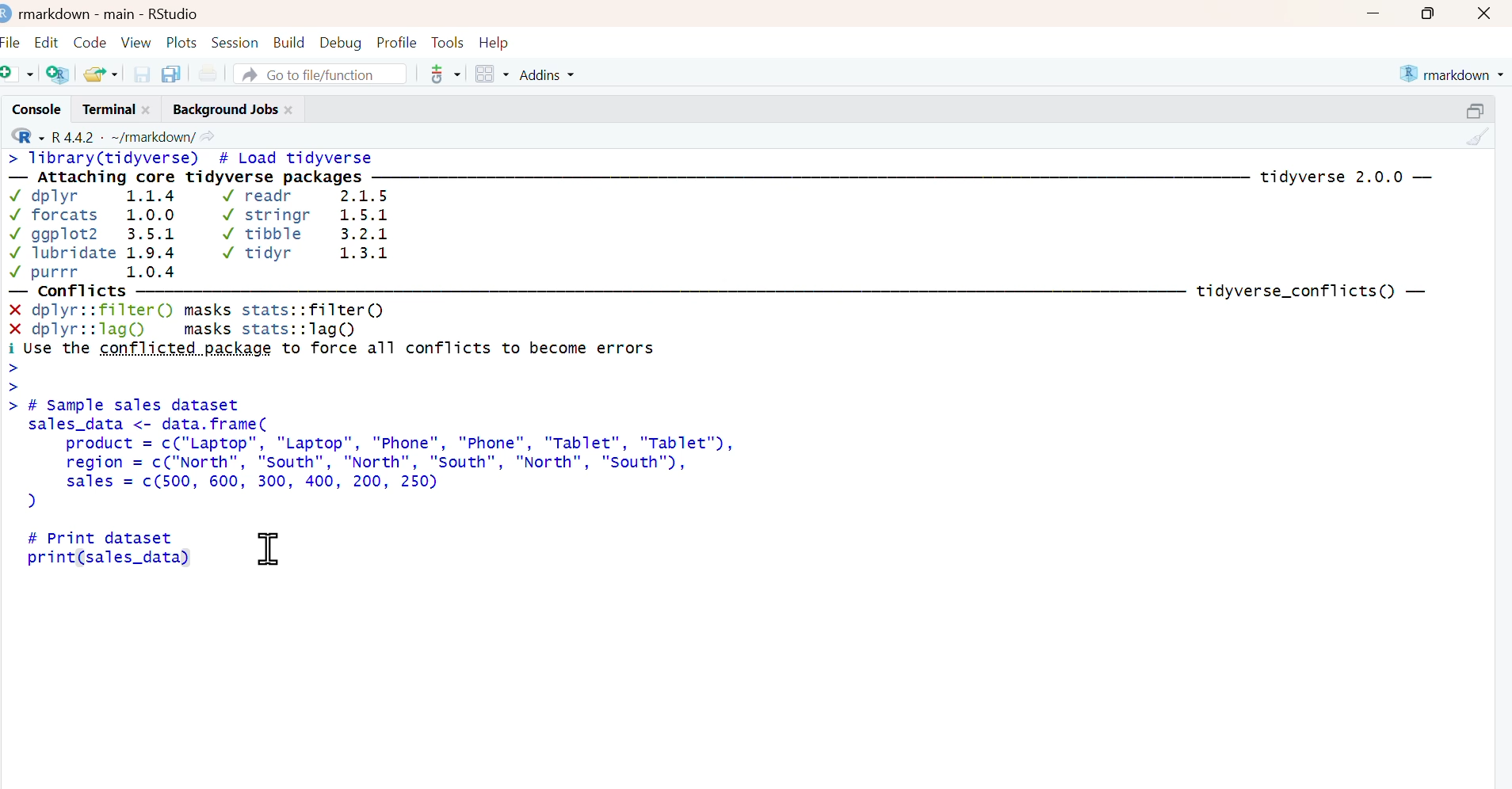  I want to click on new file, so click(19, 73).